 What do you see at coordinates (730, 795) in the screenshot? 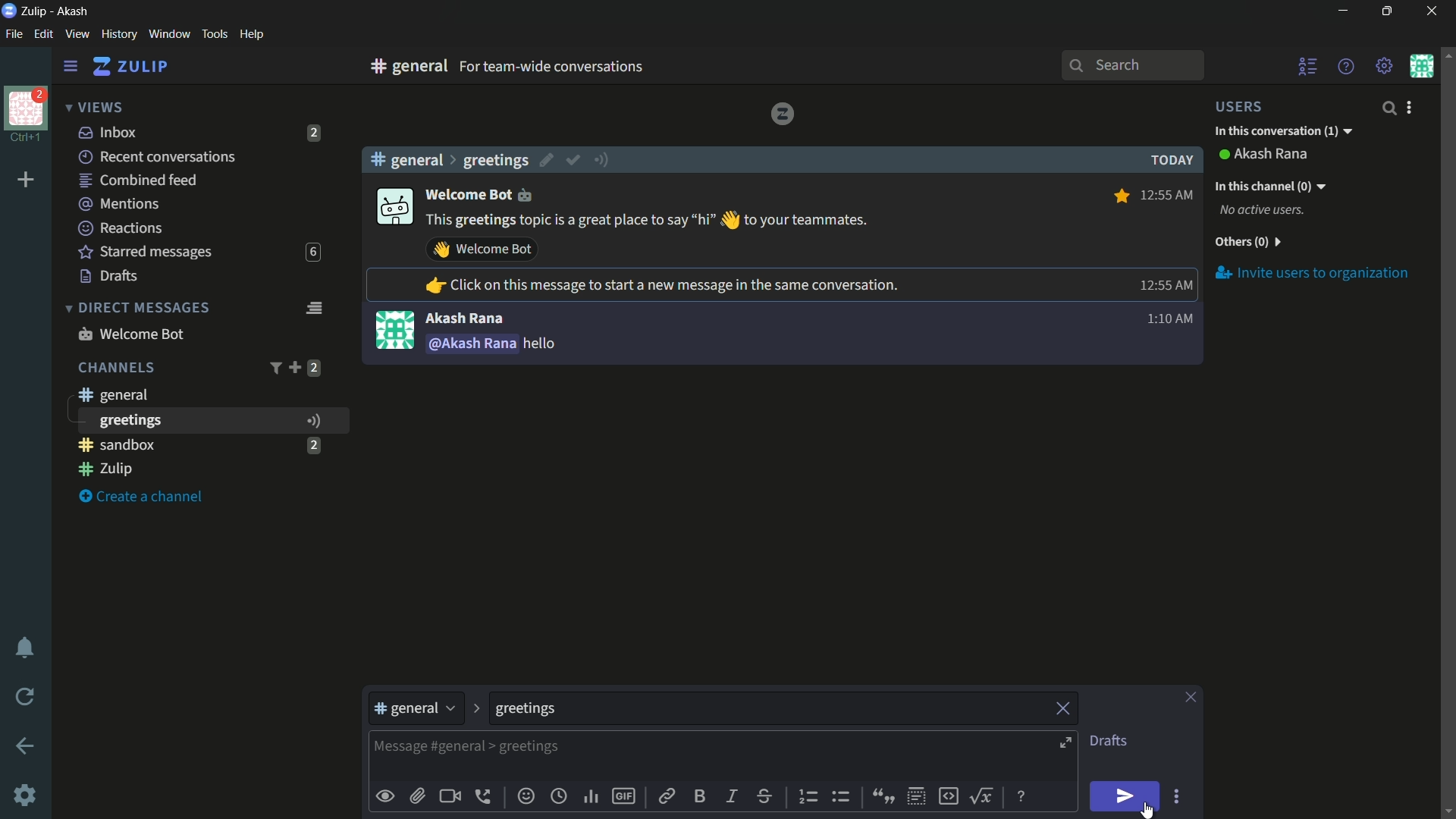
I see `italic` at bounding box center [730, 795].